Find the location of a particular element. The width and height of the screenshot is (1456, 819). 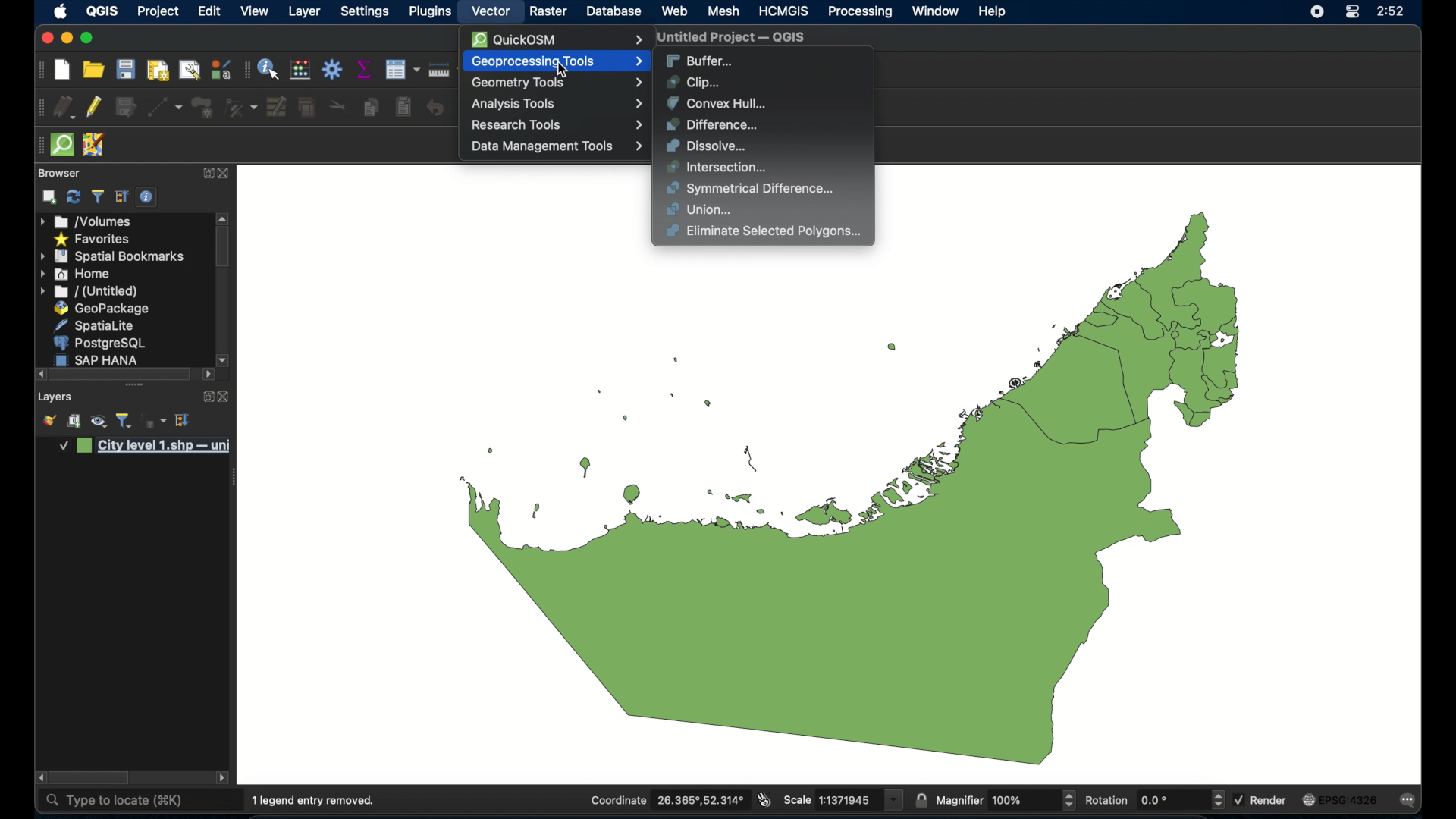

geoprocessing tools is located at coordinates (554, 61).